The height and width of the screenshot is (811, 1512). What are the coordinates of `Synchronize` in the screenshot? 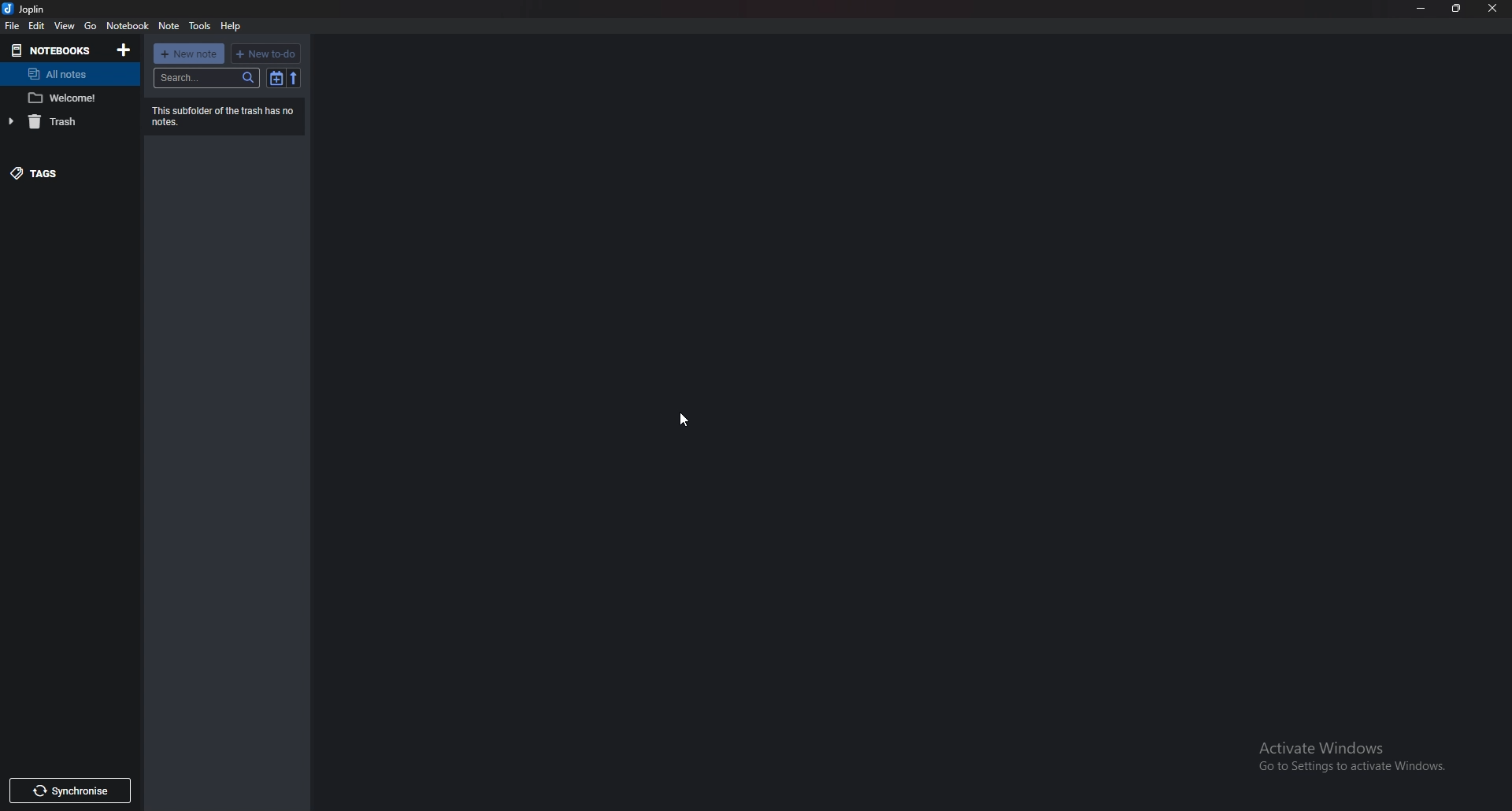 It's located at (69, 790).